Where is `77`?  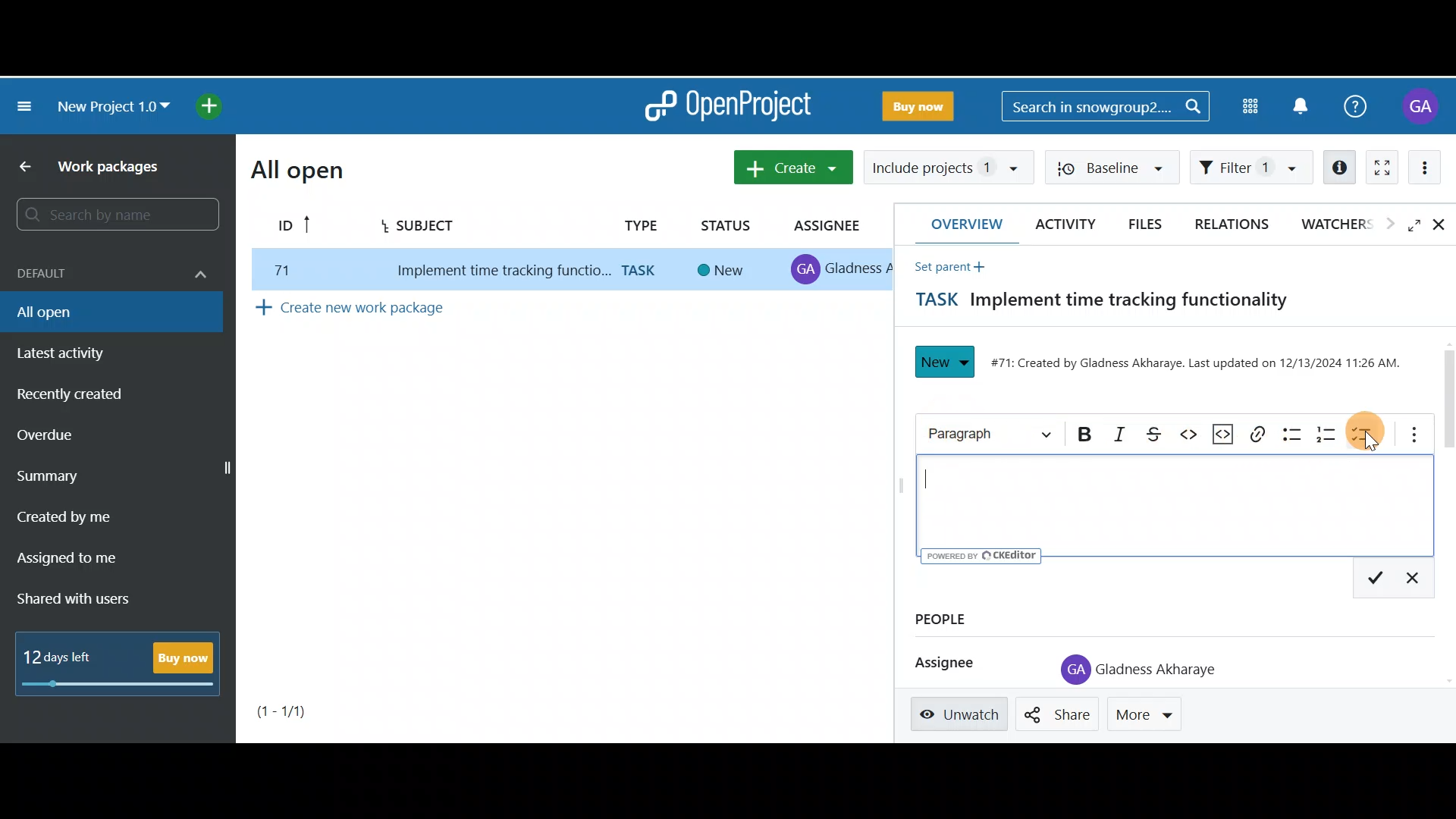
77 is located at coordinates (278, 270).